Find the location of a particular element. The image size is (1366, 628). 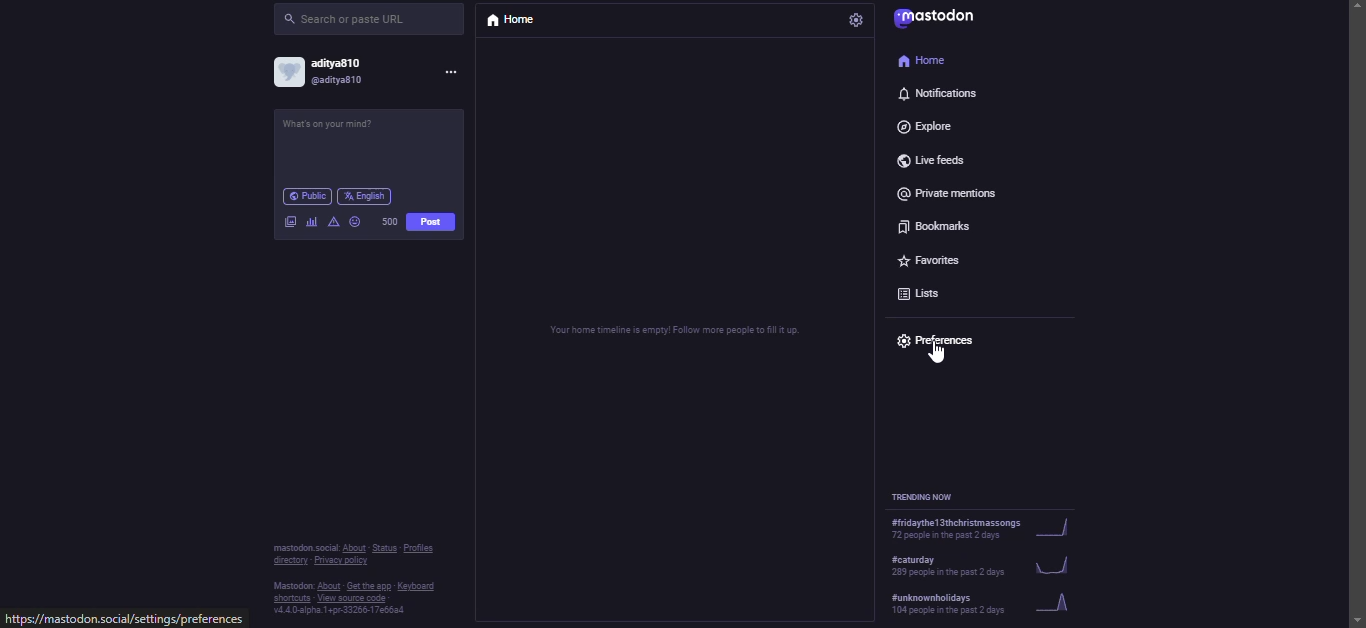

lists is located at coordinates (917, 290).